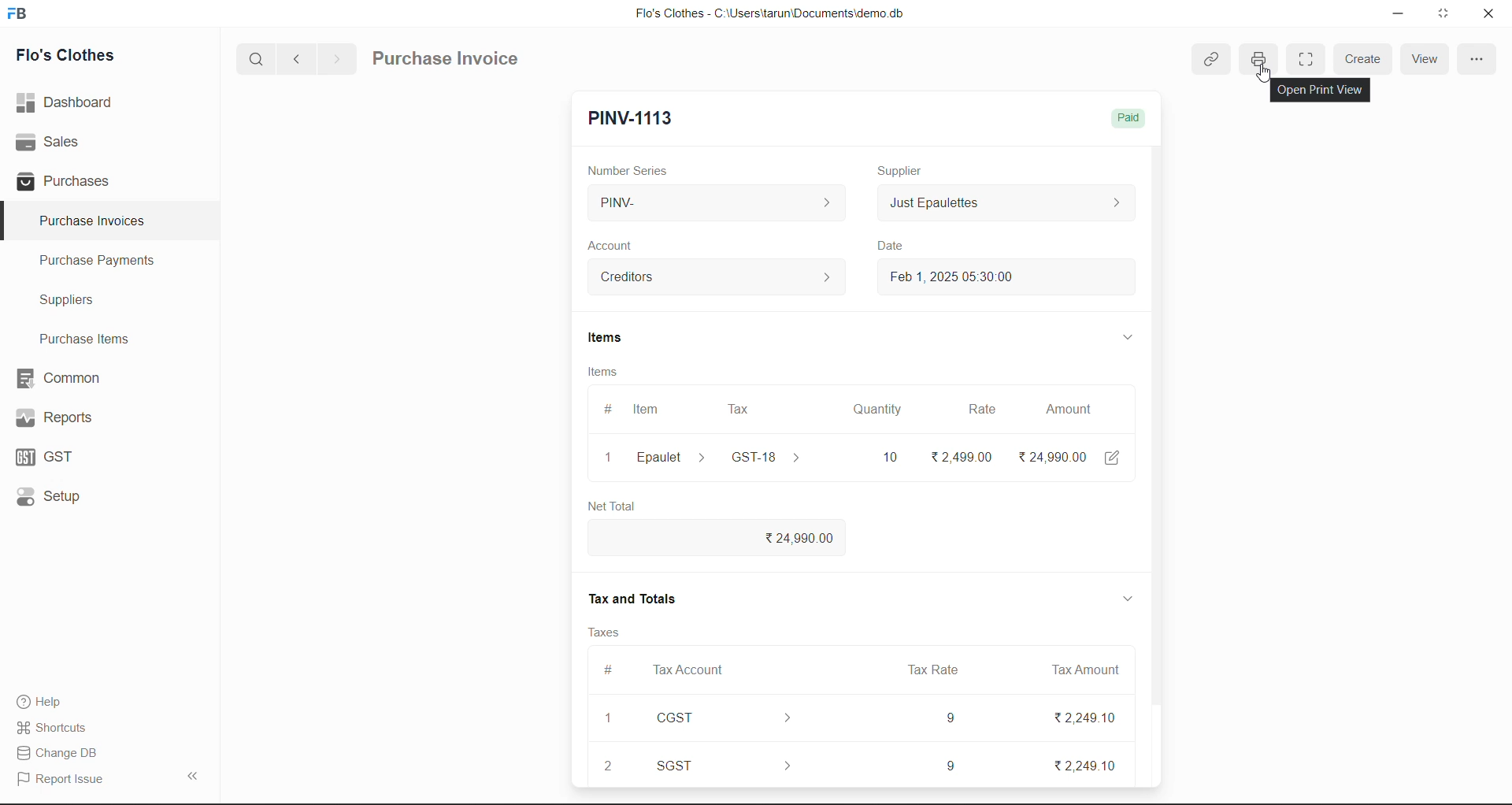 The image size is (1512, 805). Describe the element at coordinates (979, 409) in the screenshot. I see `rate` at that location.